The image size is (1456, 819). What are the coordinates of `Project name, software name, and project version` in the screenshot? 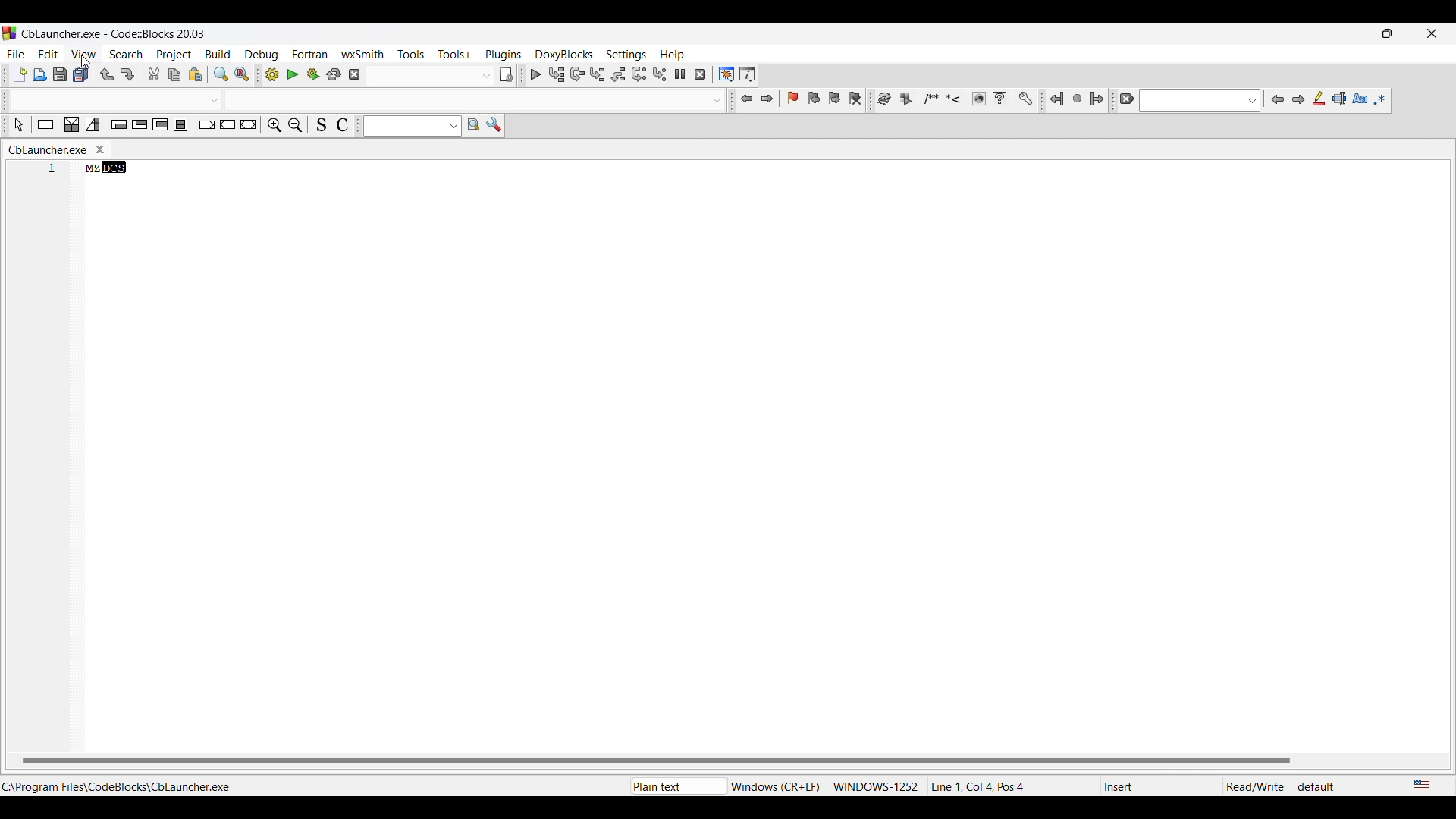 It's located at (113, 34).